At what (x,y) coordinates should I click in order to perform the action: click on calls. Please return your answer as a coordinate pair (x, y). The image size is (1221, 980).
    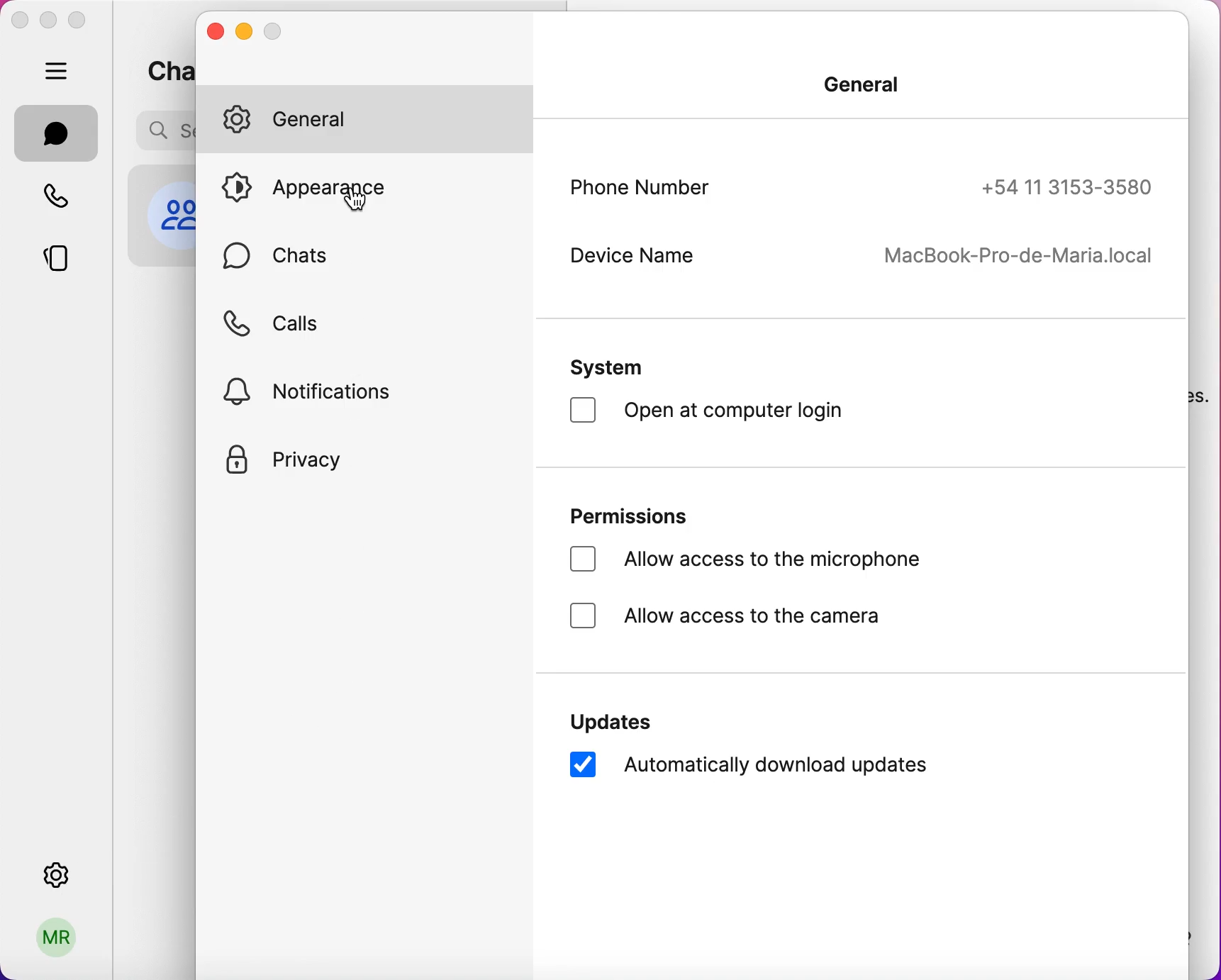
    Looking at the image, I should click on (281, 327).